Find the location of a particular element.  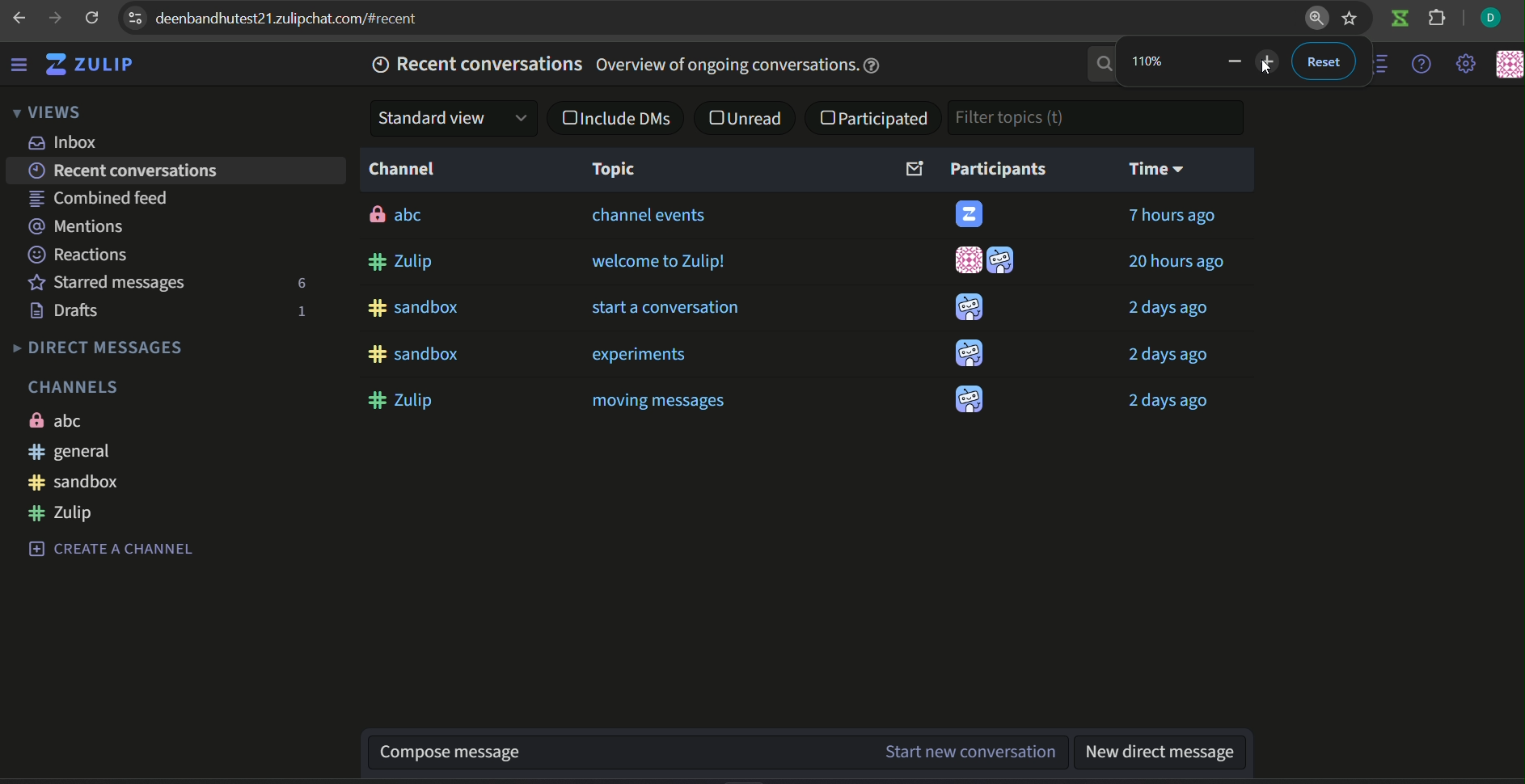

reactions is located at coordinates (78, 256).